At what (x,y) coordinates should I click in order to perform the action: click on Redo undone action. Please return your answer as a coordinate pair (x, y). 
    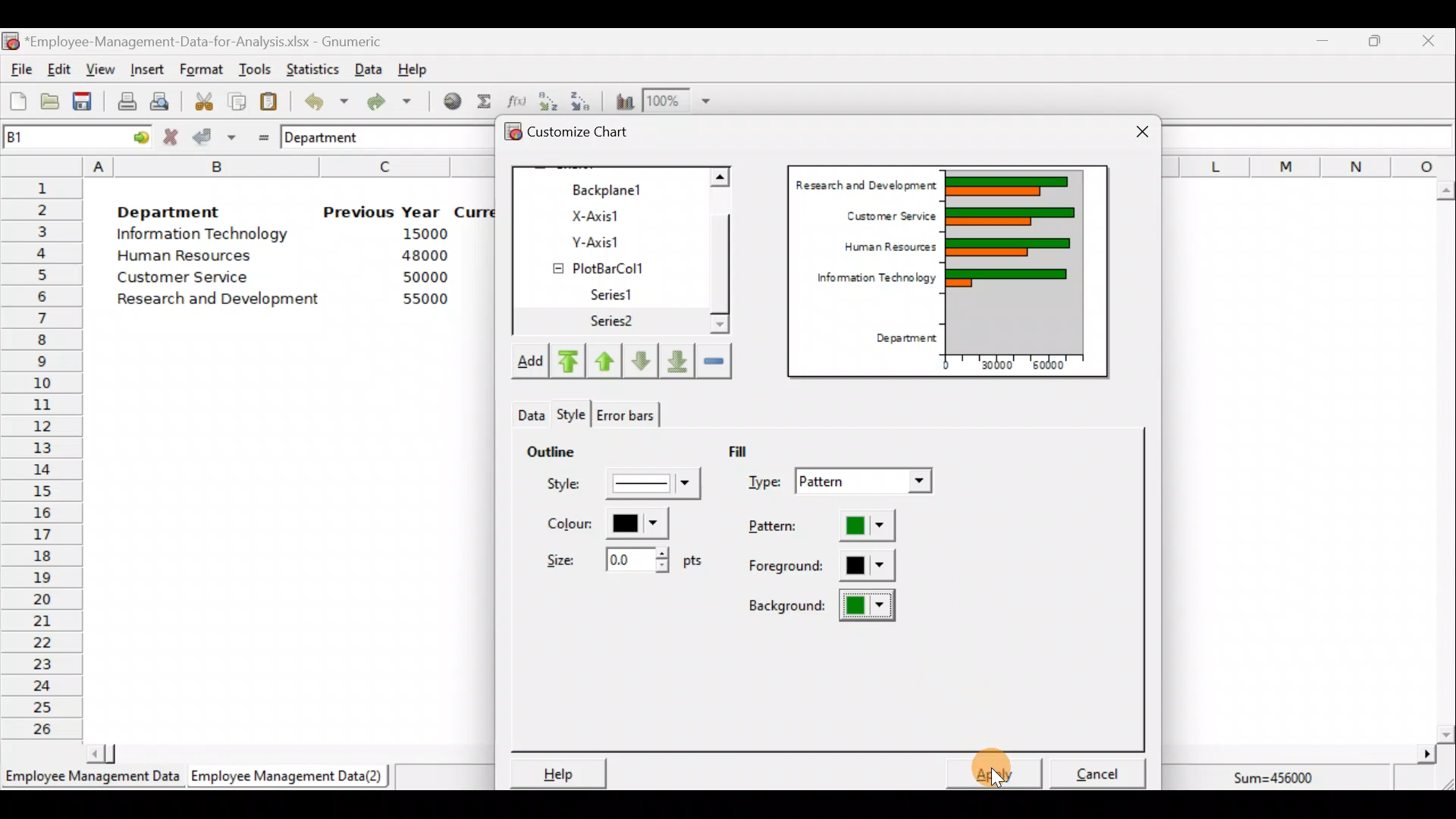
    Looking at the image, I should click on (386, 102).